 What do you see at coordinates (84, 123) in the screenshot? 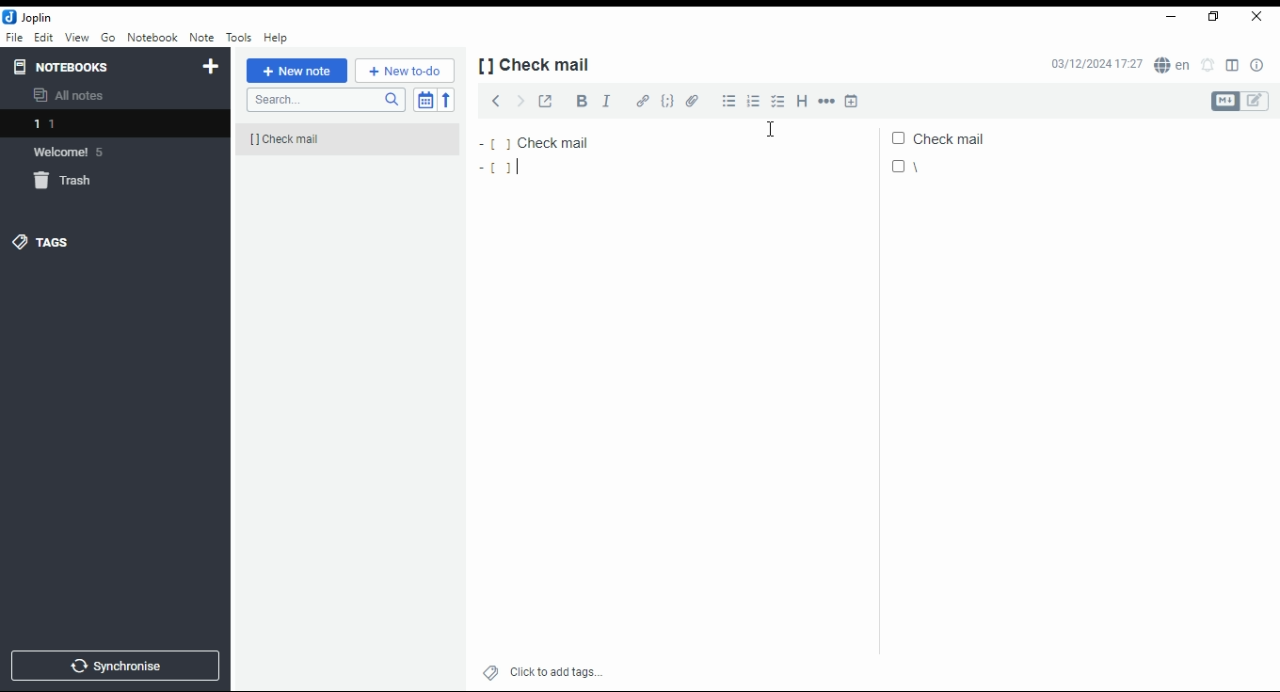
I see `notebook 1` at bounding box center [84, 123].